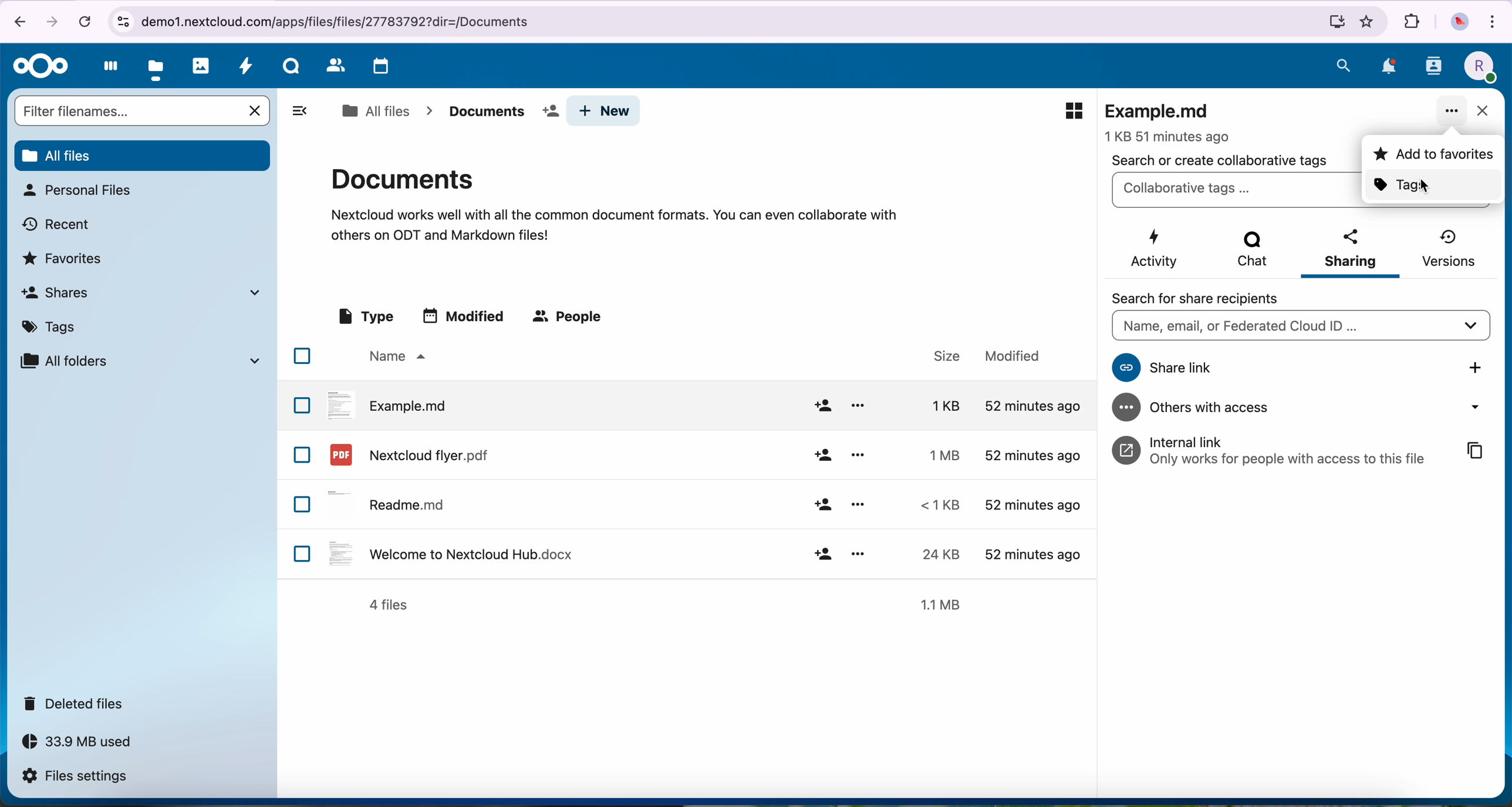 The image size is (1512, 807). I want to click on size, so click(940, 356).